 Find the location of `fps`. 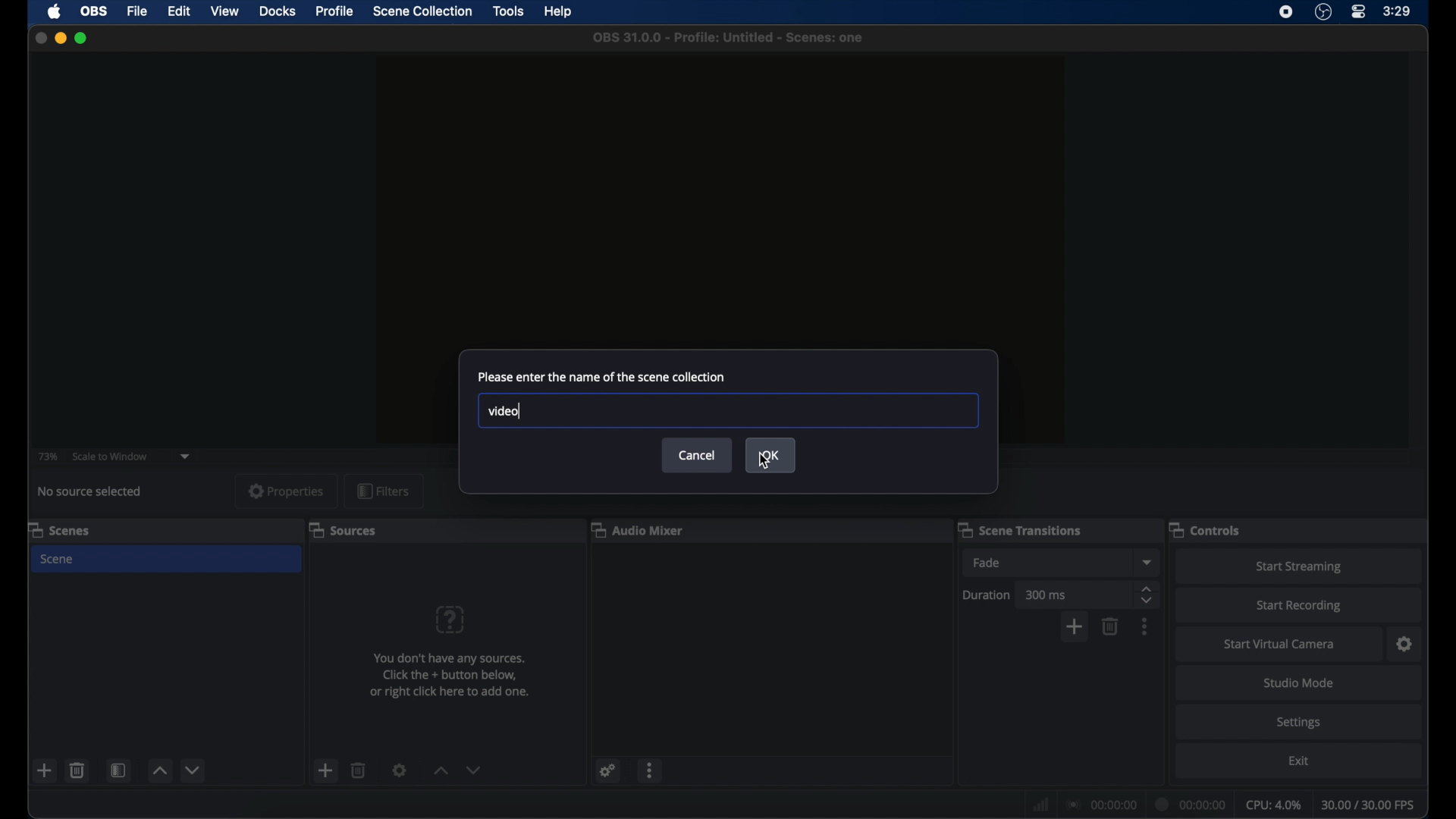

fps is located at coordinates (1370, 805).